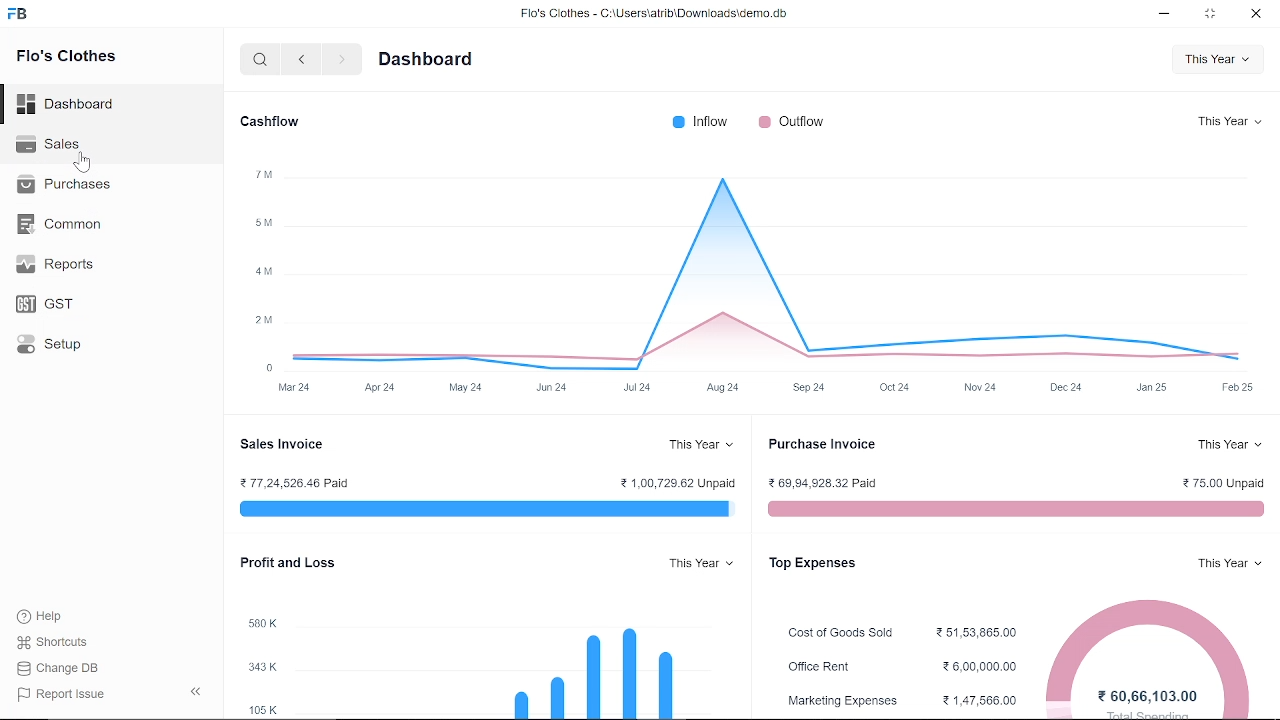 This screenshot has height=720, width=1280. I want to click on 105K, so click(260, 710).